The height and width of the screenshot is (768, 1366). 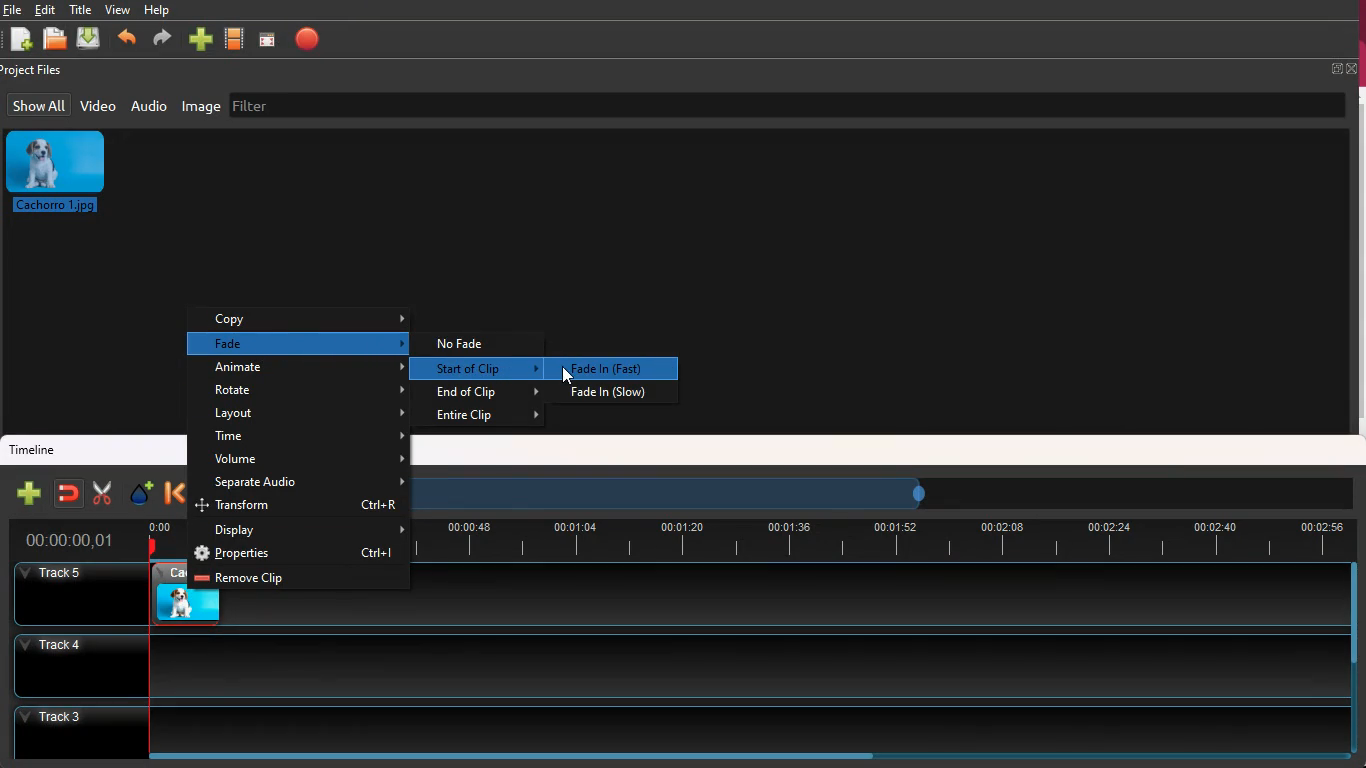 What do you see at coordinates (486, 417) in the screenshot?
I see `entire clip` at bounding box center [486, 417].